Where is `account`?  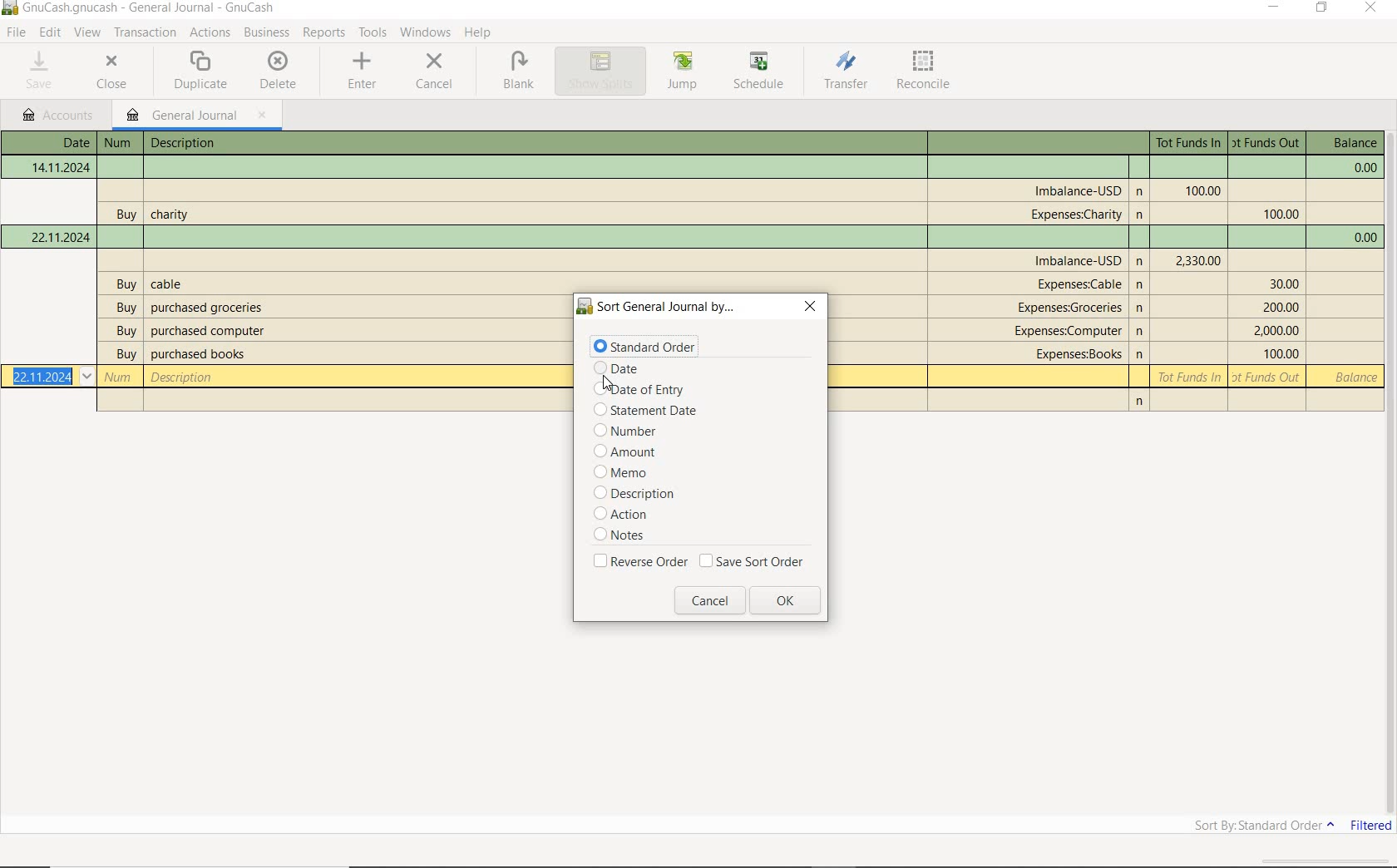 account is located at coordinates (1079, 260).